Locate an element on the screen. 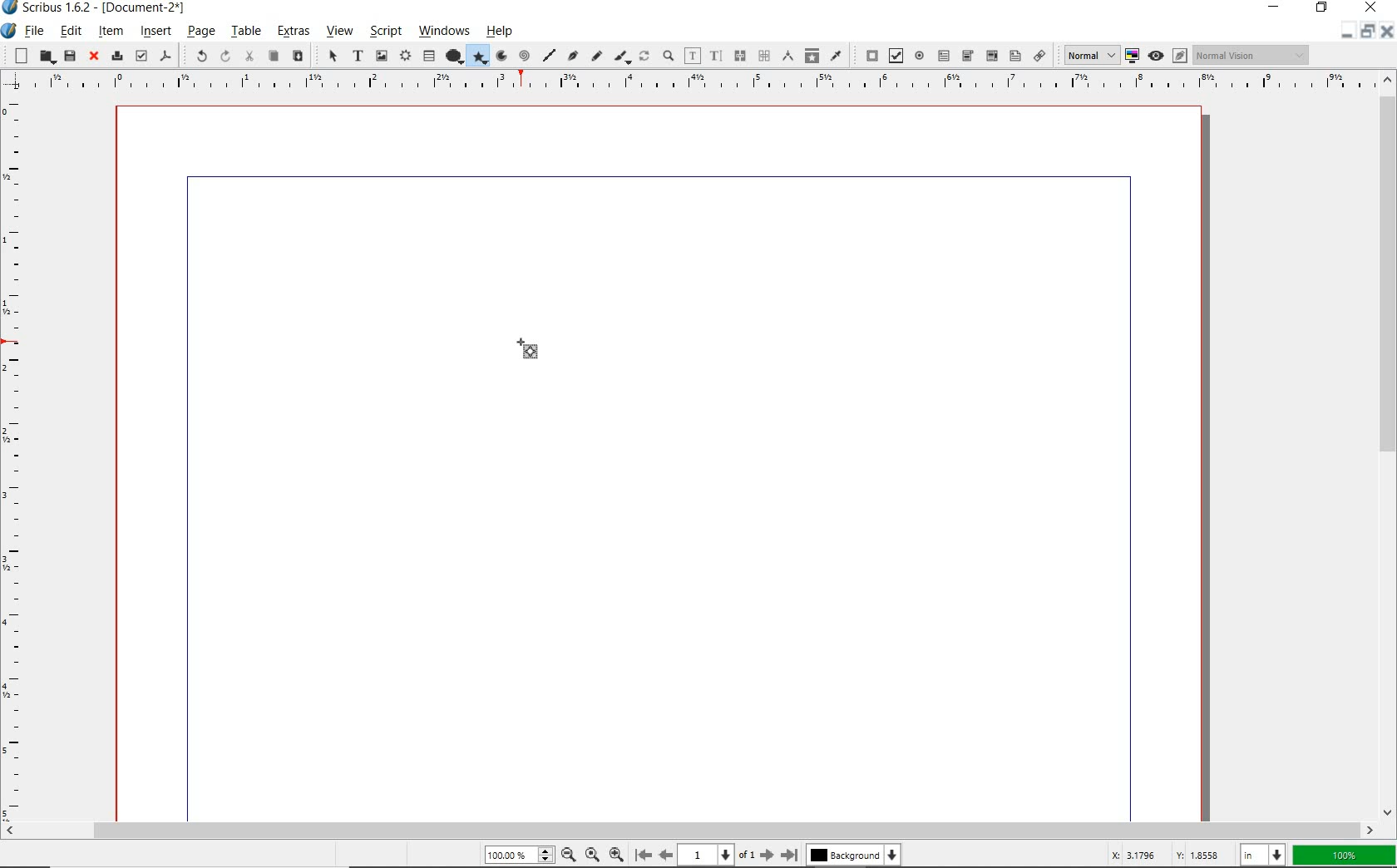 The width and height of the screenshot is (1397, 868). item is located at coordinates (111, 33).